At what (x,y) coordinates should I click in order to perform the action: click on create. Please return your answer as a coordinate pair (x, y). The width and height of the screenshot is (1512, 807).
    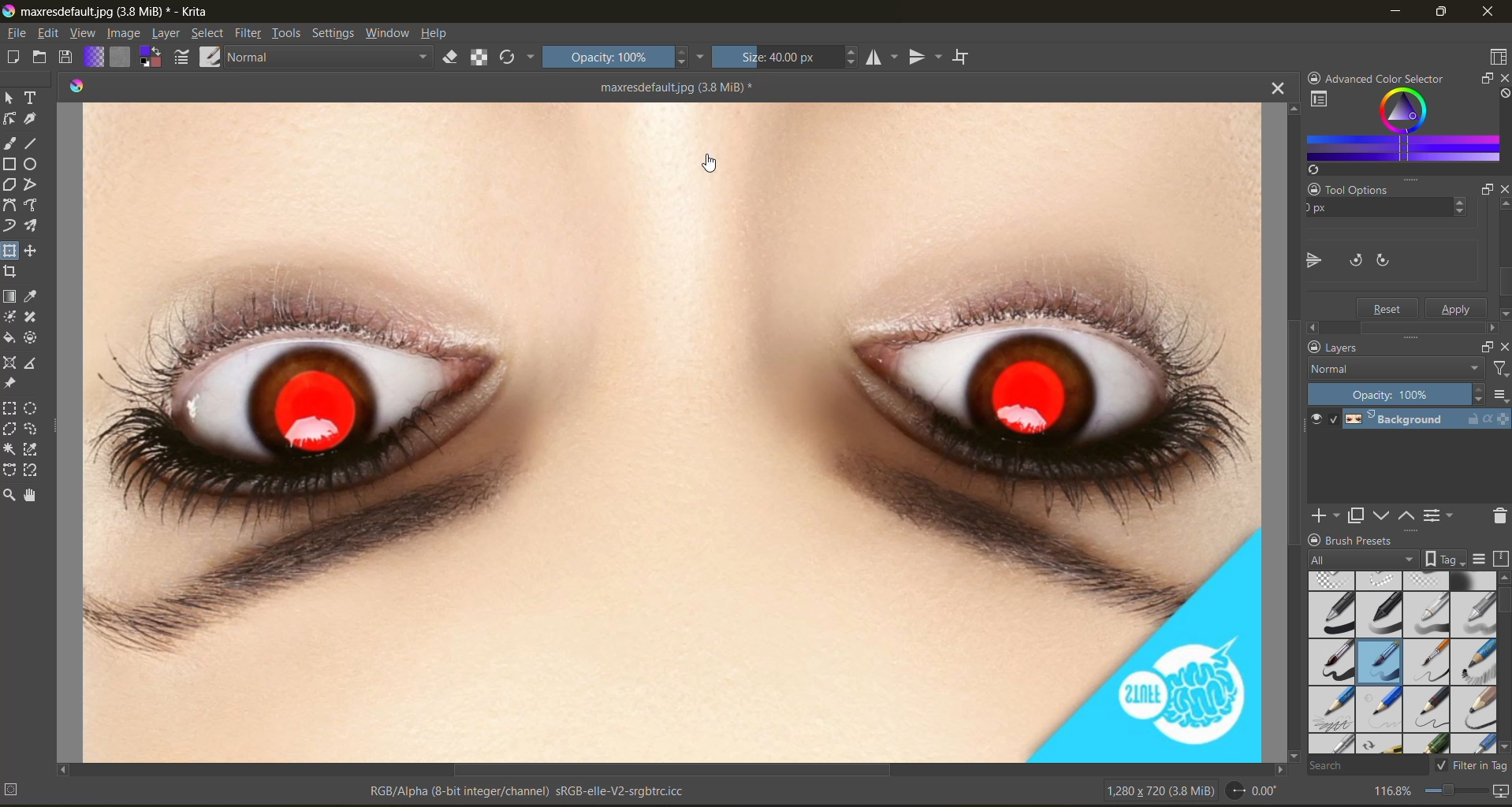
    Looking at the image, I should click on (14, 58).